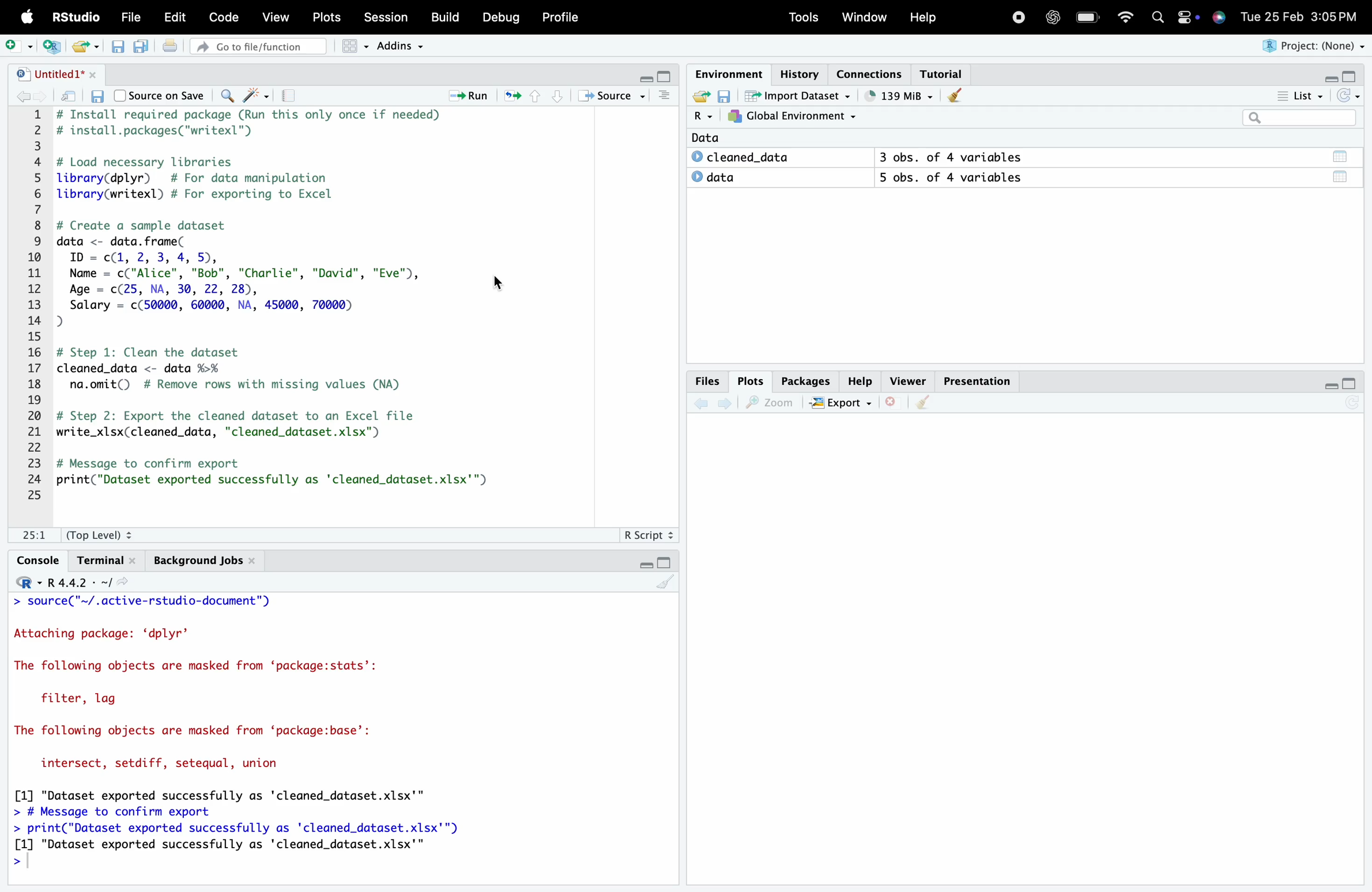 The height and width of the screenshot is (892, 1372). Describe the element at coordinates (708, 380) in the screenshot. I see `Files` at that location.